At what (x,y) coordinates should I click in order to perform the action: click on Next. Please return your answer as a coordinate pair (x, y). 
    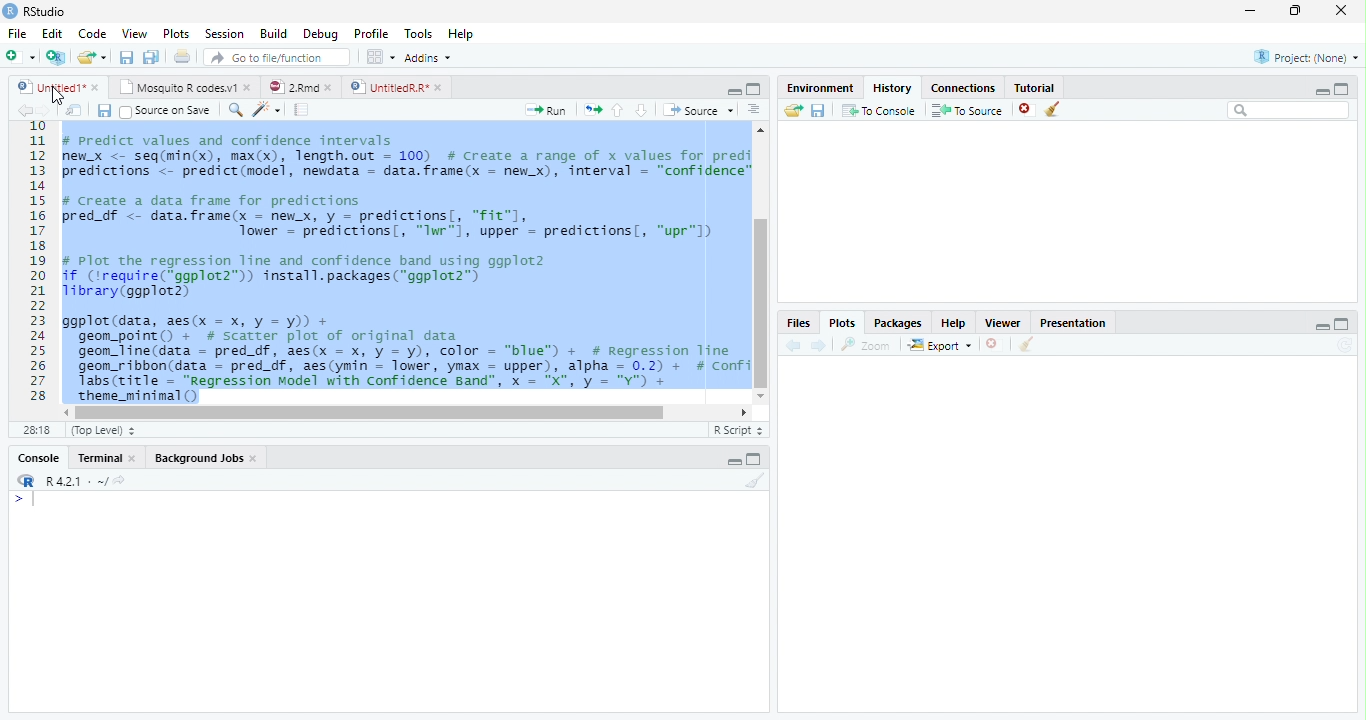
    Looking at the image, I should click on (818, 347).